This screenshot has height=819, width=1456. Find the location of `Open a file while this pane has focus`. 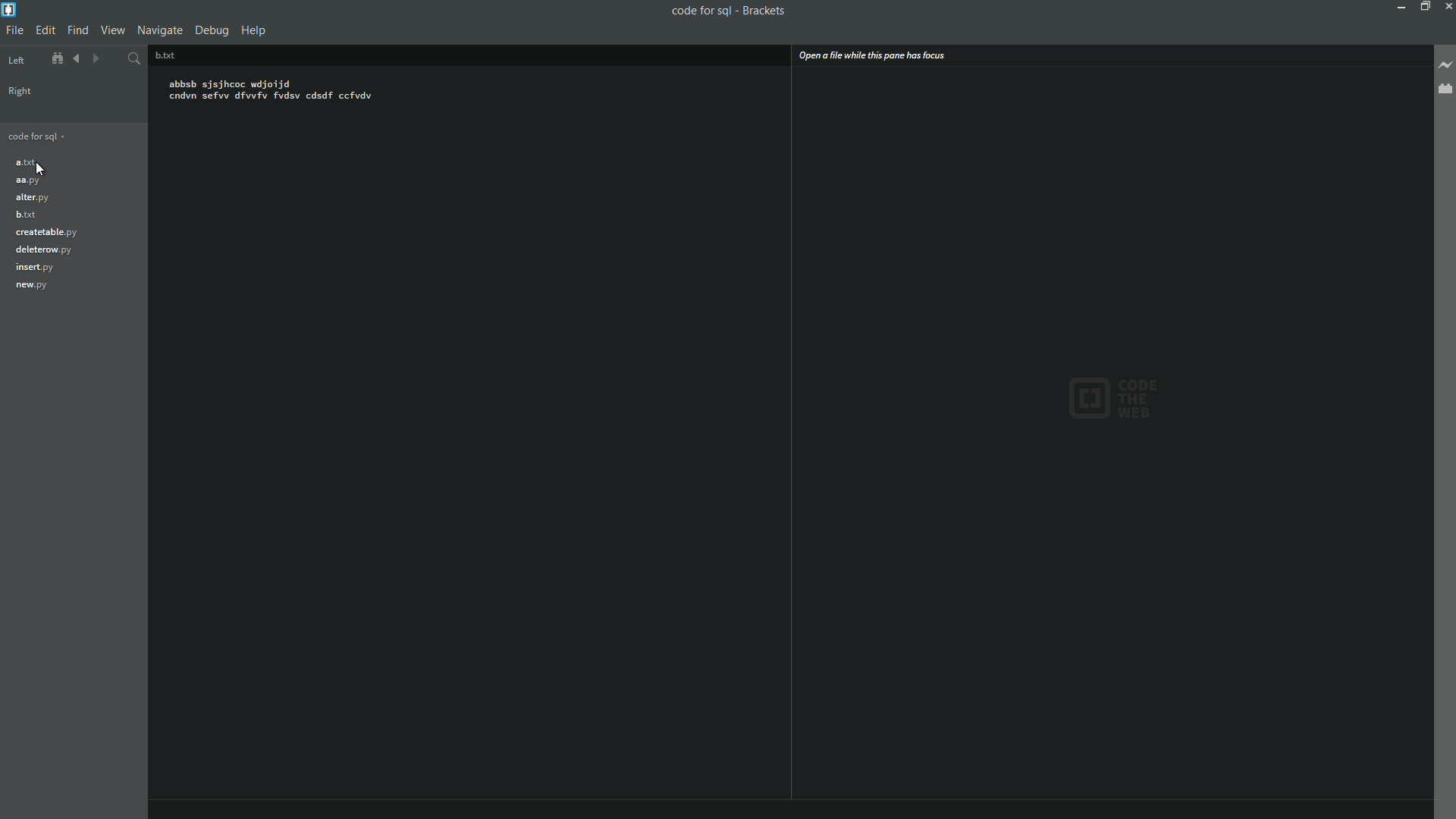

Open a file while this pane has focus is located at coordinates (871, 55).